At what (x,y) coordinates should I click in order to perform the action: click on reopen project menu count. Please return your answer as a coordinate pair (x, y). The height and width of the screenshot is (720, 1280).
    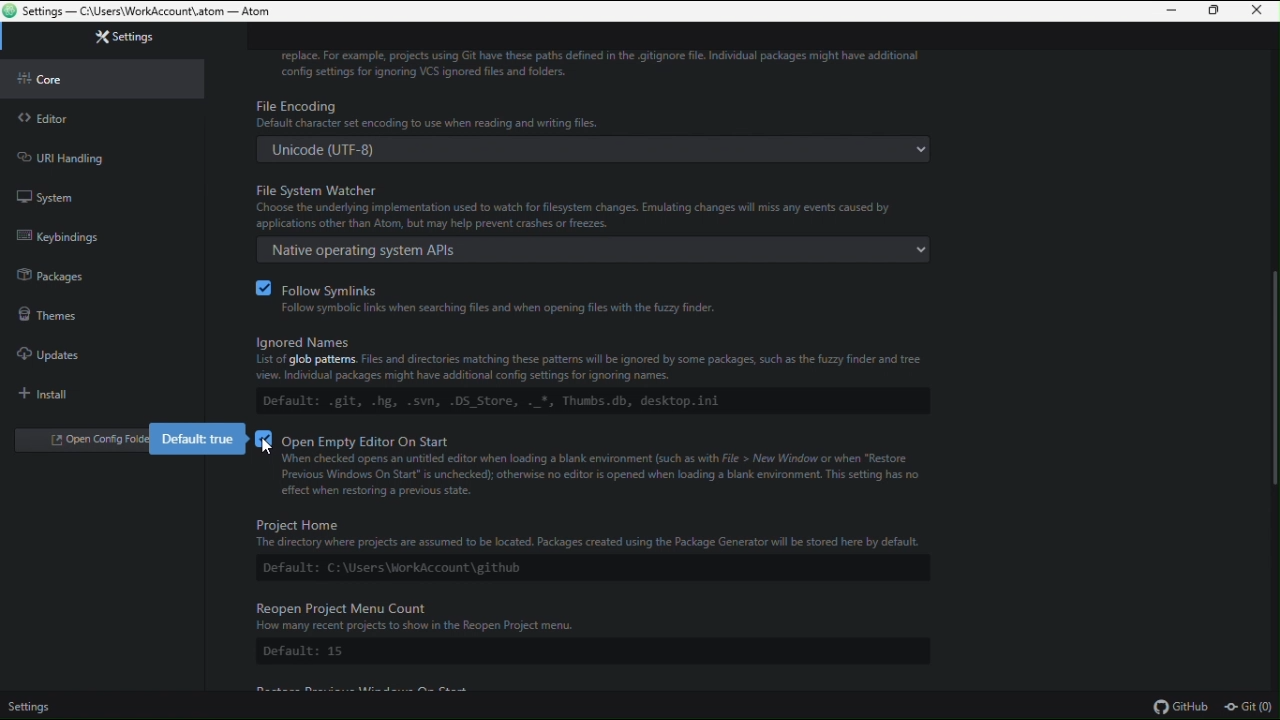
    Looking at the image, I should click on (595, 618).